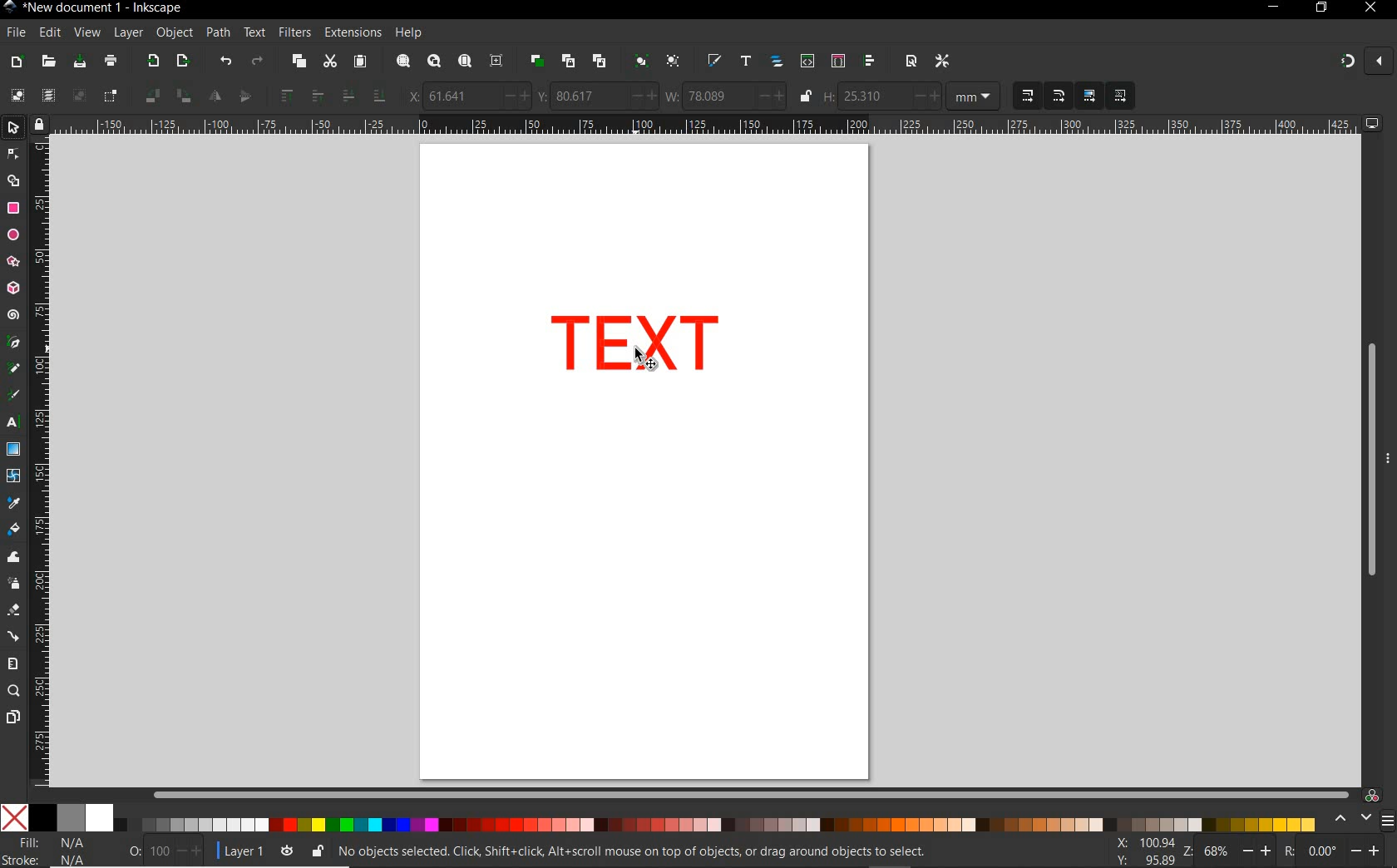  What do you see at coordinates (15, 287) in the screenshot?
I see `3d box tool` at bounding box center [15, 287].